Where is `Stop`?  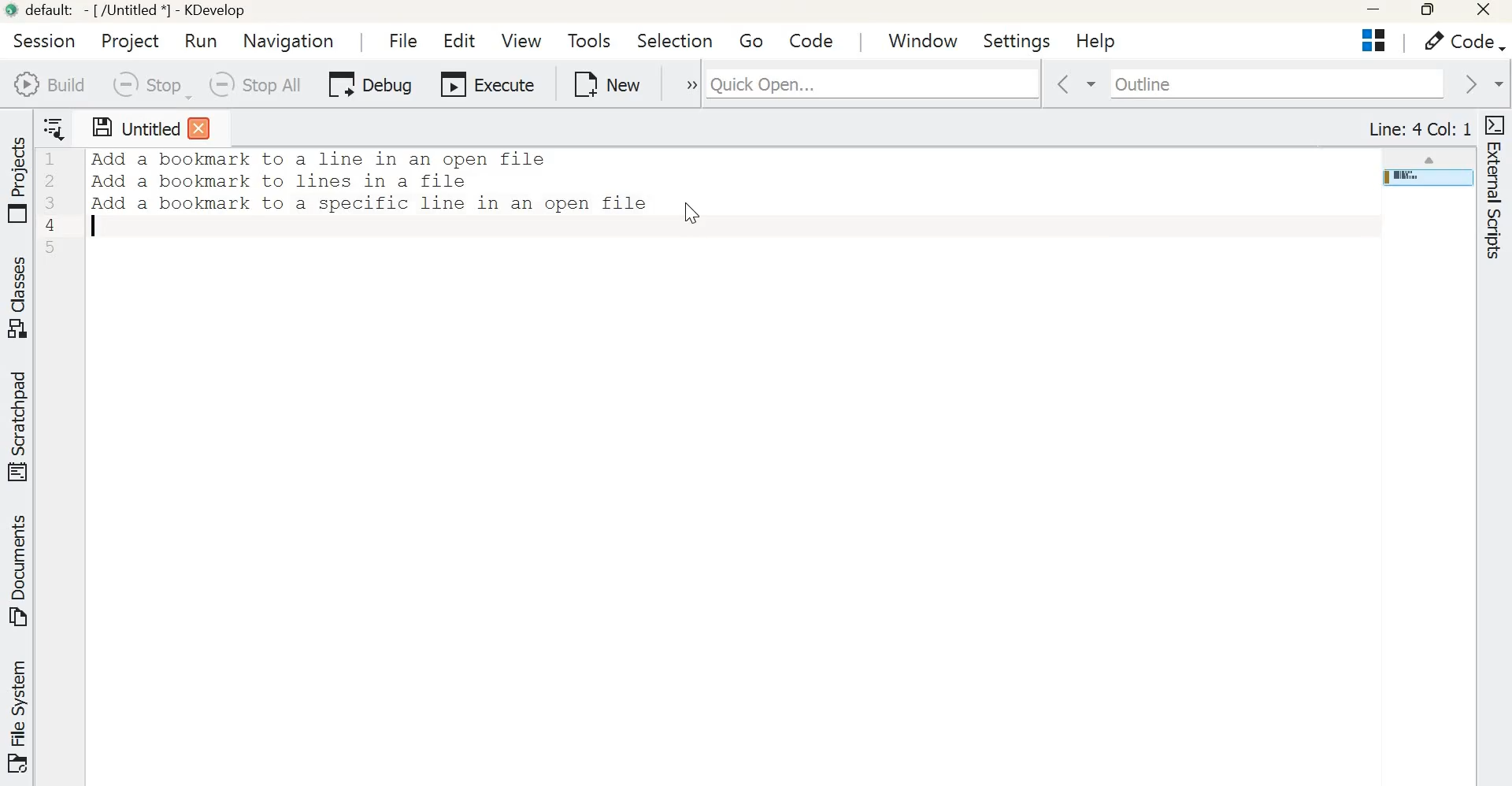
Stop is located at coordinates (149, 85).